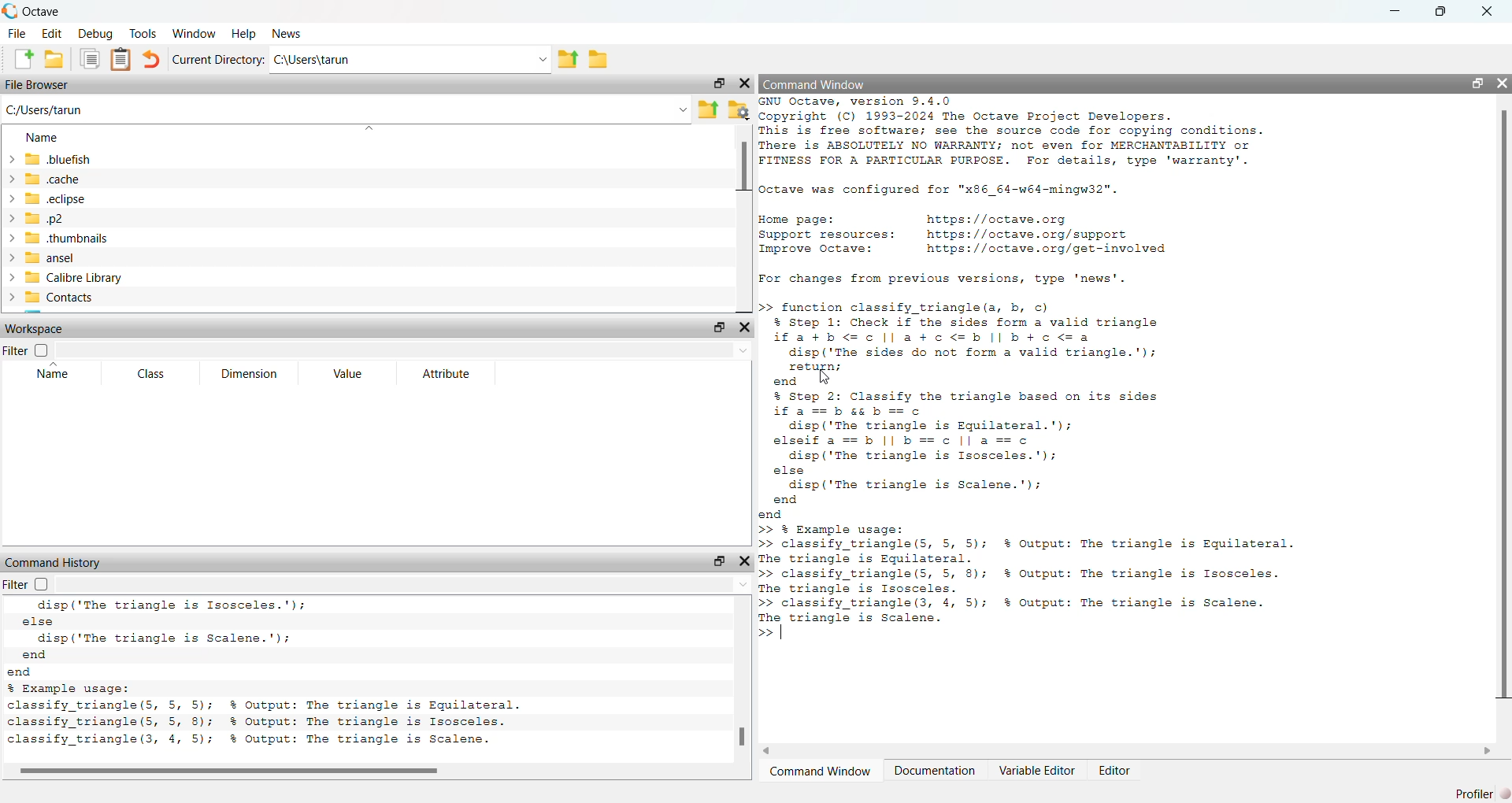 The width and height of the screenshot is (1512, 803). What do you see at coordinates (947, 280) in the screenshot?
I see `Fox changes from previous versions, type 'news'.` at bounding box center [947, 280].